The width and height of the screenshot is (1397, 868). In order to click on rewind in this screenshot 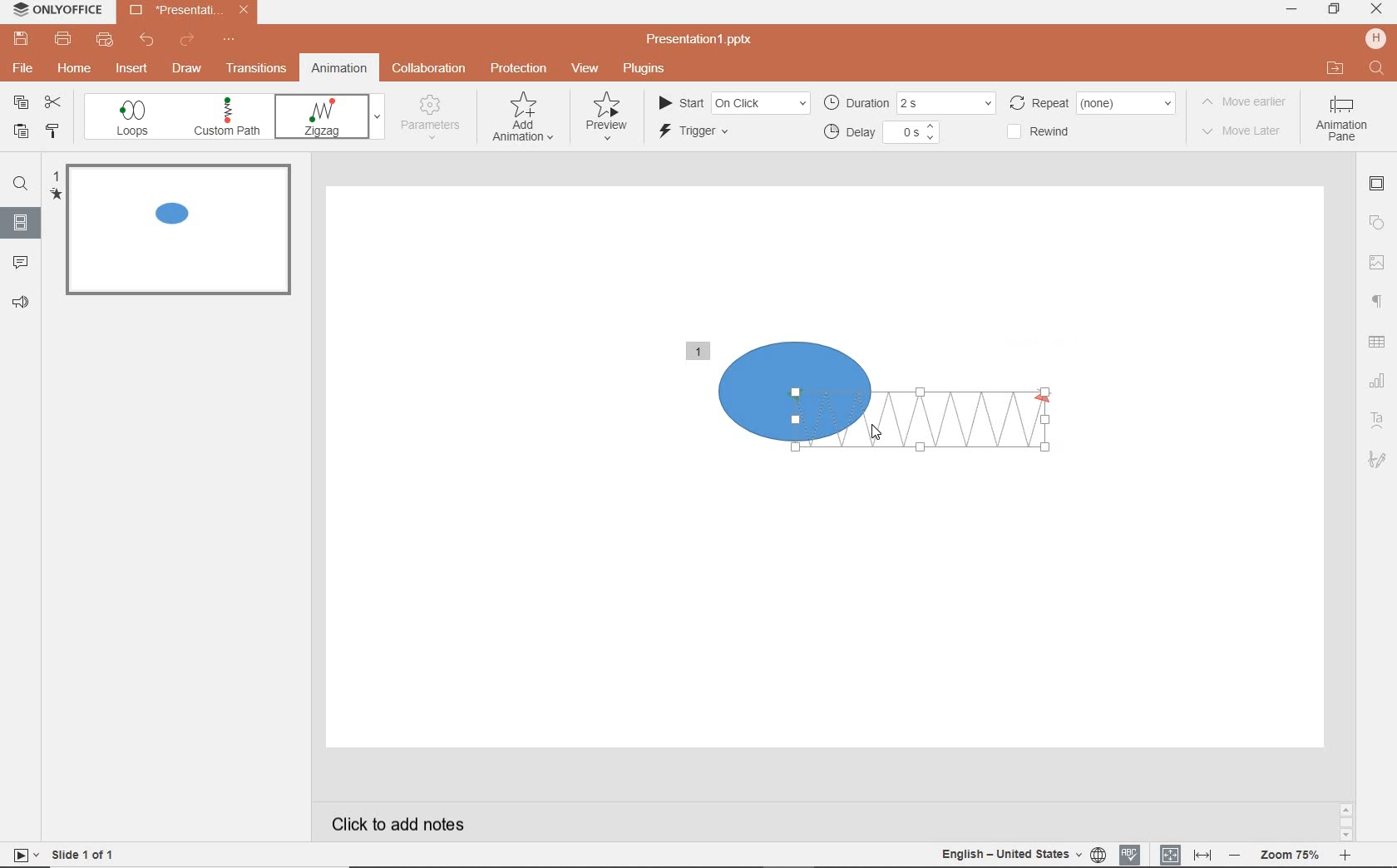, I will do `click(1091, 101)`.